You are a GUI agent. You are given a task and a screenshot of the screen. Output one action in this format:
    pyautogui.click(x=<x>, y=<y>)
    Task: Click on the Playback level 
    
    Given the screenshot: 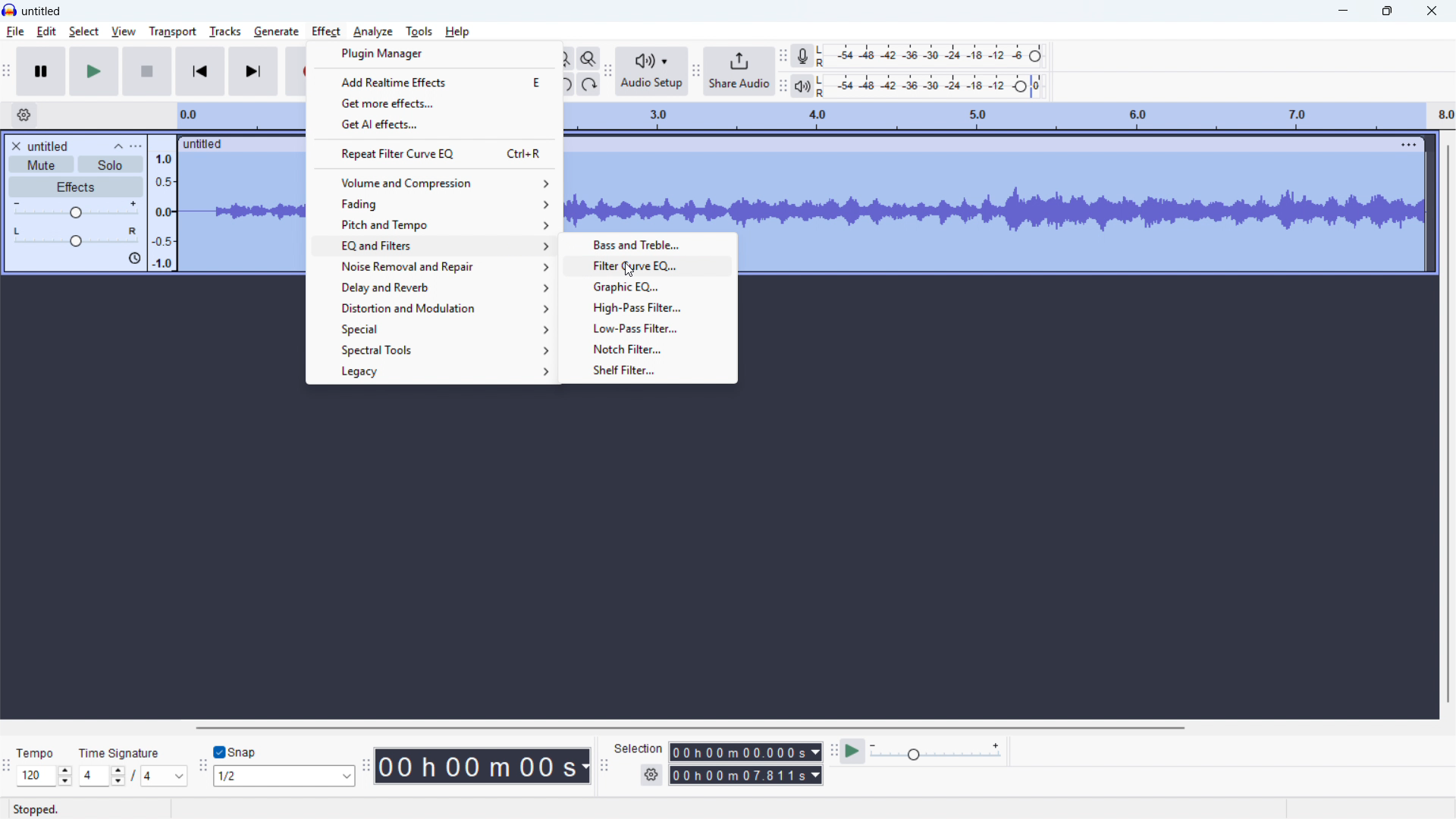 What is the action you would take?
    pyautogui.click(x=929, y=86)
    